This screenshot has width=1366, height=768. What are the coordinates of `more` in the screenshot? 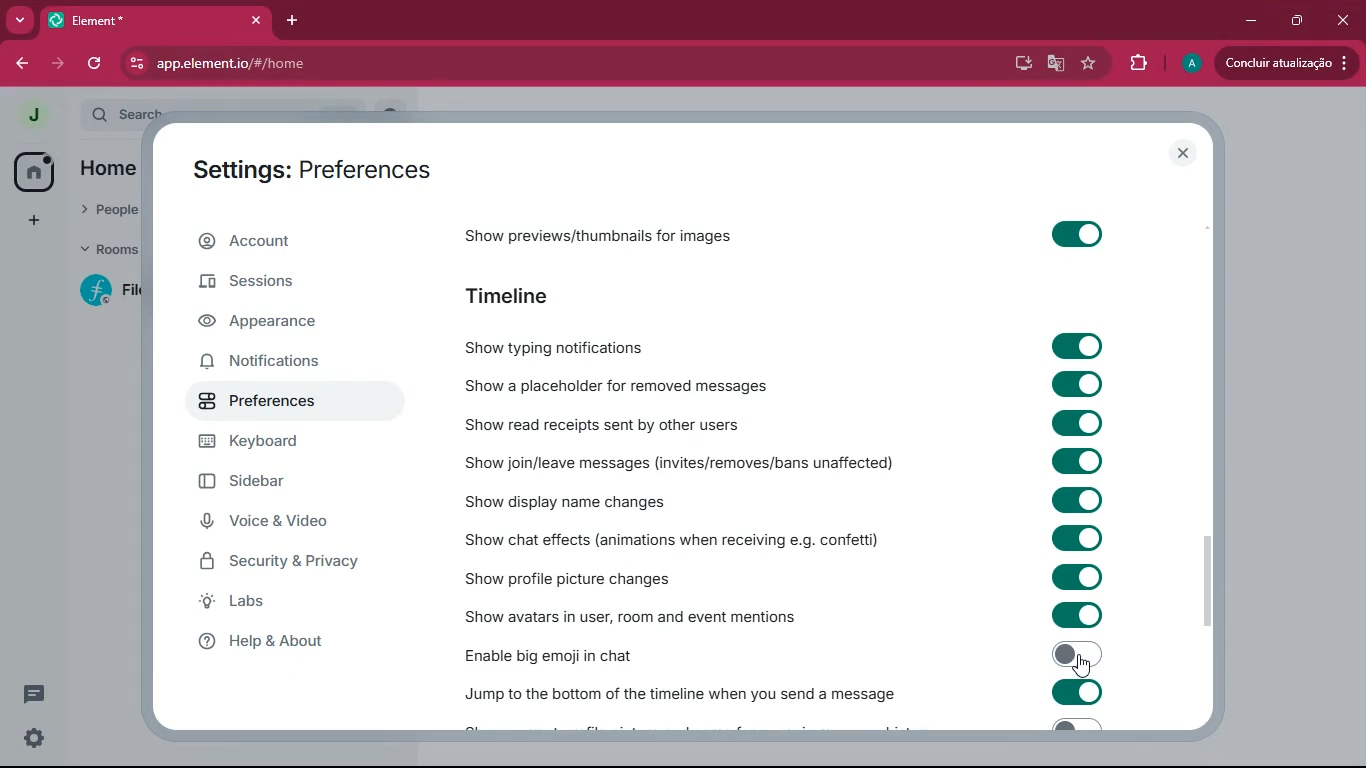 It's located at (18, 20).